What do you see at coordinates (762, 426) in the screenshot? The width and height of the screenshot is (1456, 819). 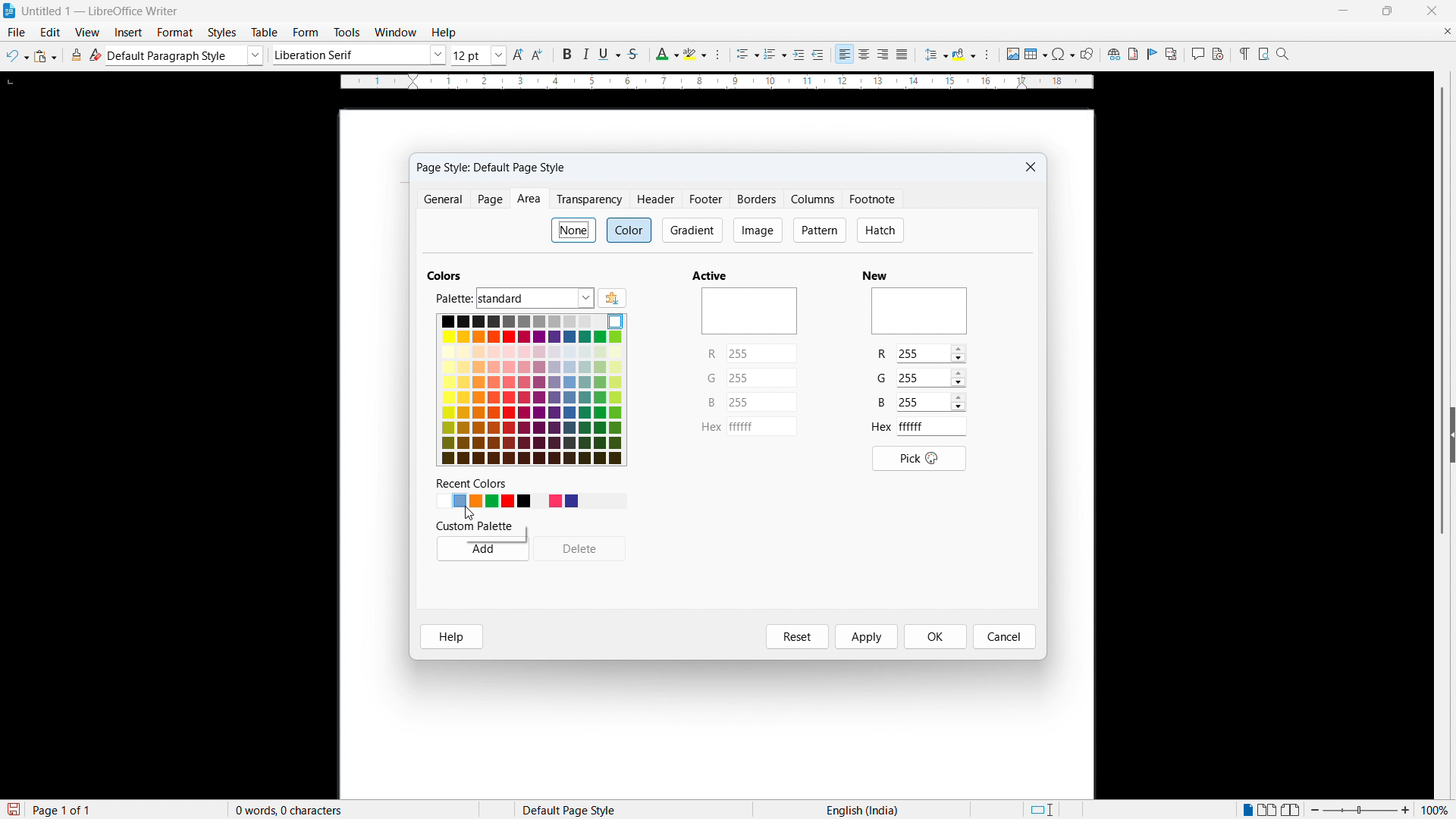 I see `set hex` at bounding box center [762, 426].